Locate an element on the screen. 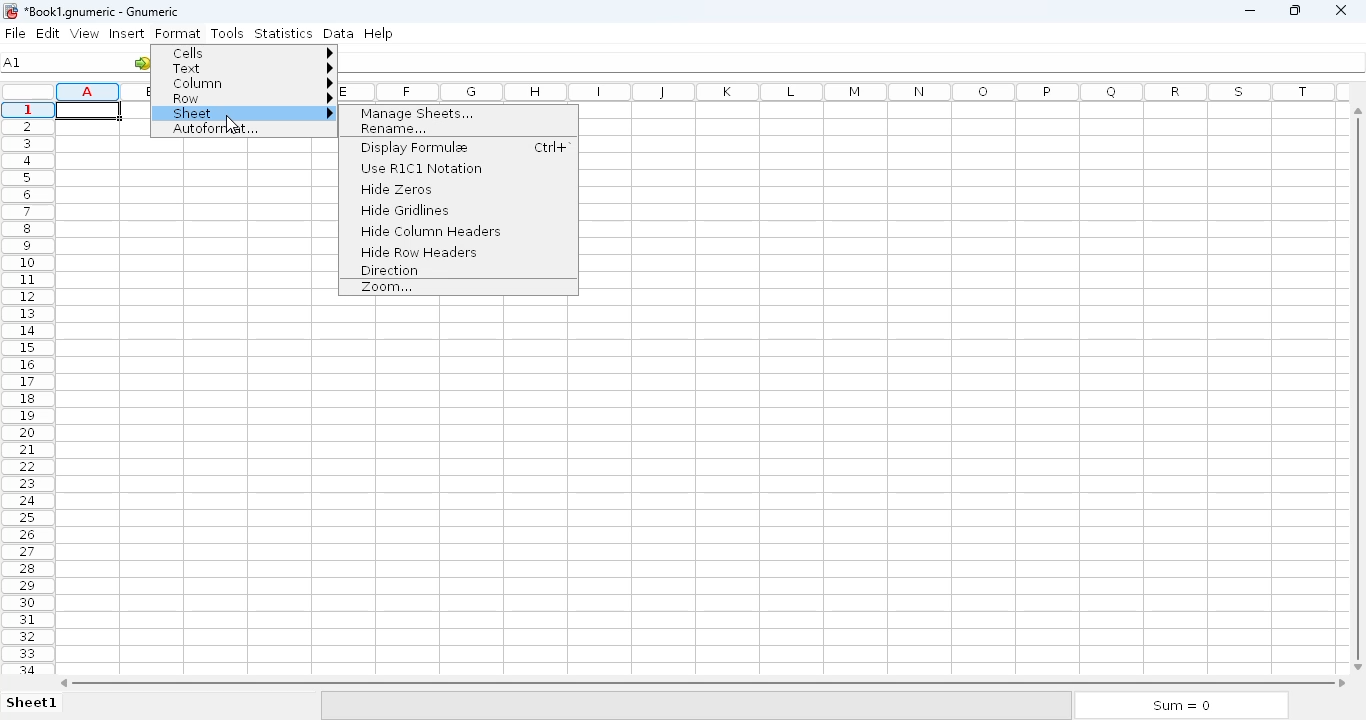  zoom is located at coordinates (388, 287).